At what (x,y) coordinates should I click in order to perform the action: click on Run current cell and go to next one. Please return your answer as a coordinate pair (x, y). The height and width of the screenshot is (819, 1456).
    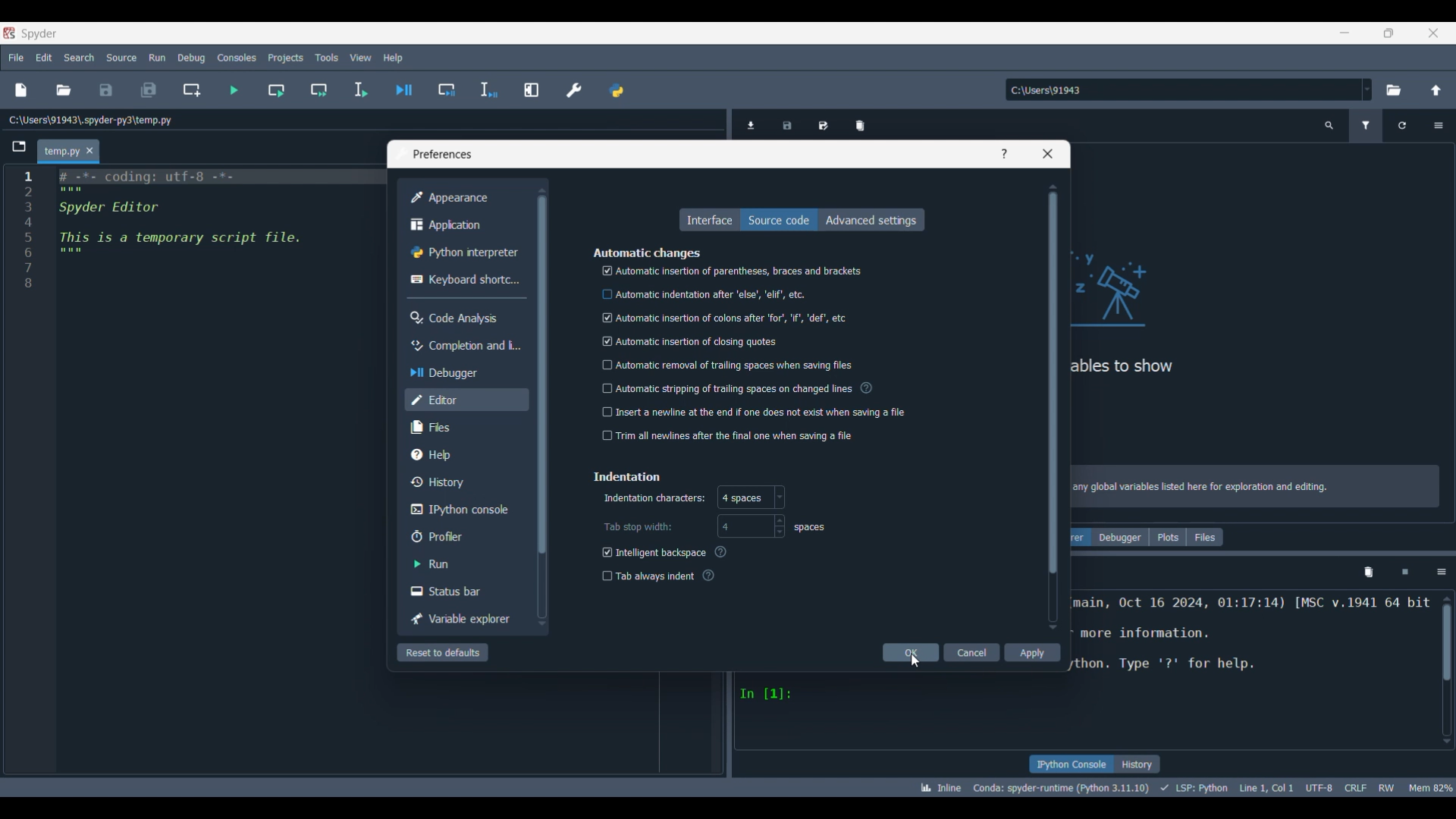
    Looking at the image, I should click on (318, 89).